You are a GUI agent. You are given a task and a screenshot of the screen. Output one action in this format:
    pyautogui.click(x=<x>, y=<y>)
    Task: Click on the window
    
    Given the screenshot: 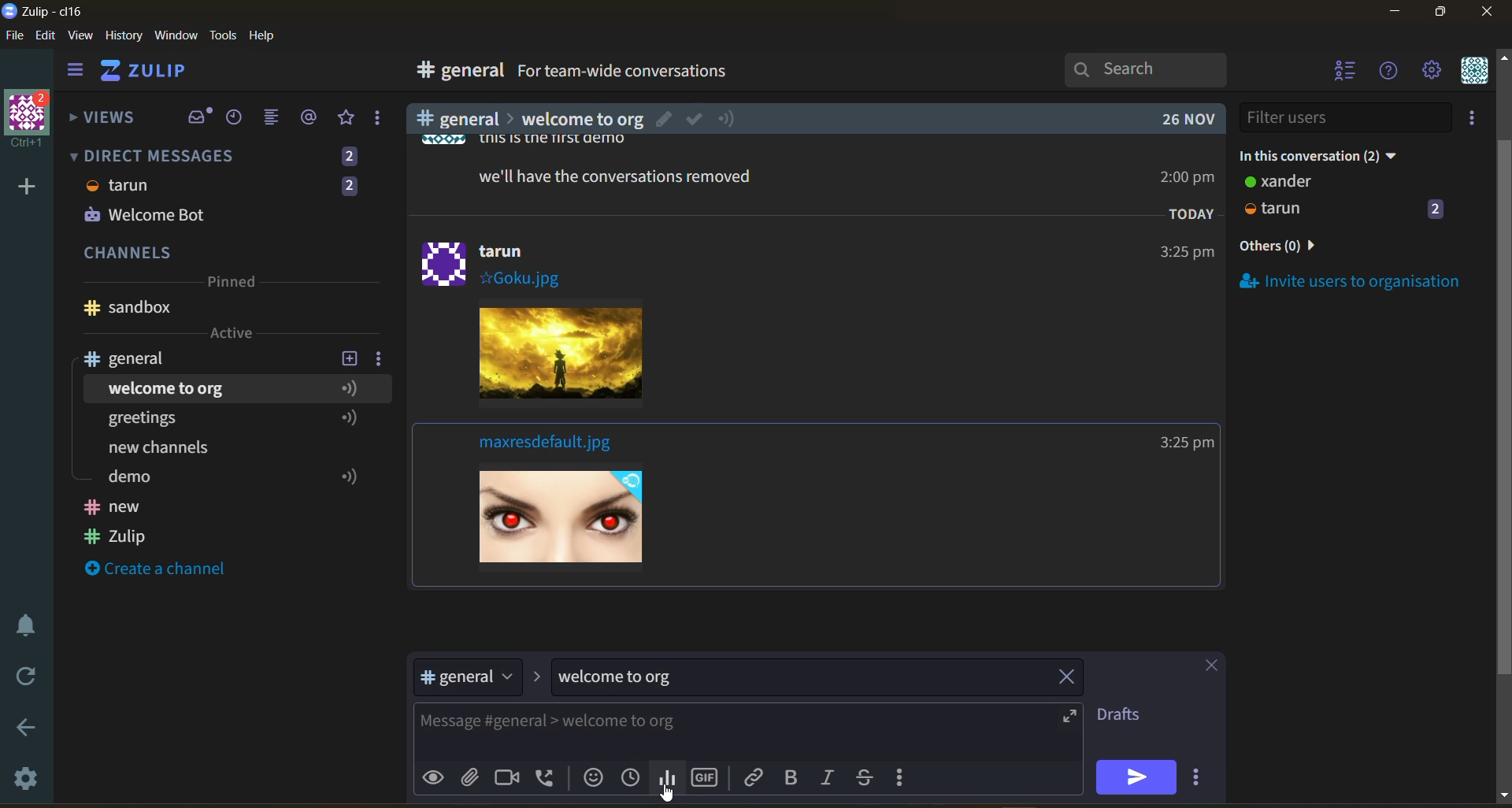 What is the action you would take?
    pyautogui.click(x=174, y=36)
    